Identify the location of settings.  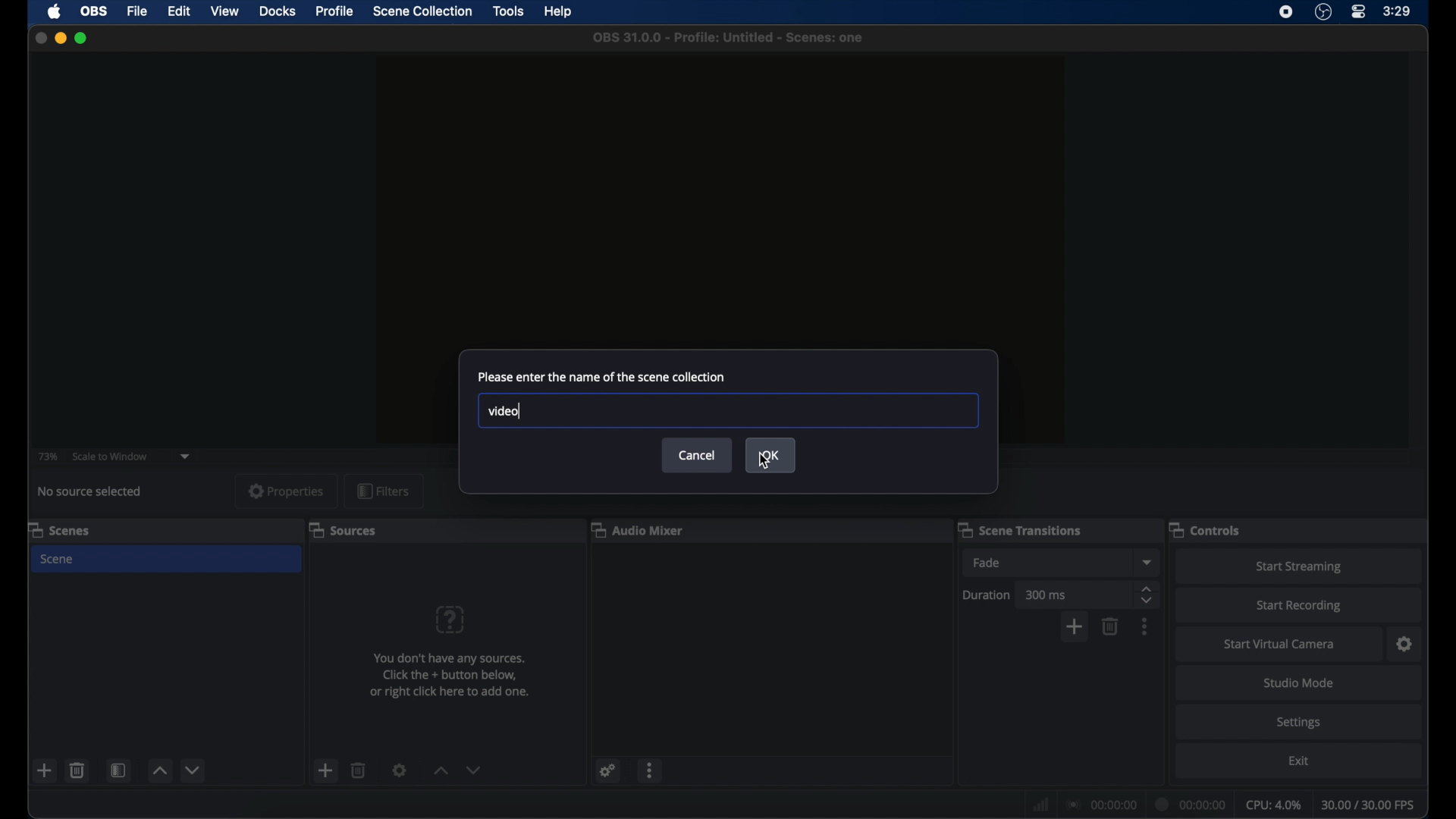
(400, 770).